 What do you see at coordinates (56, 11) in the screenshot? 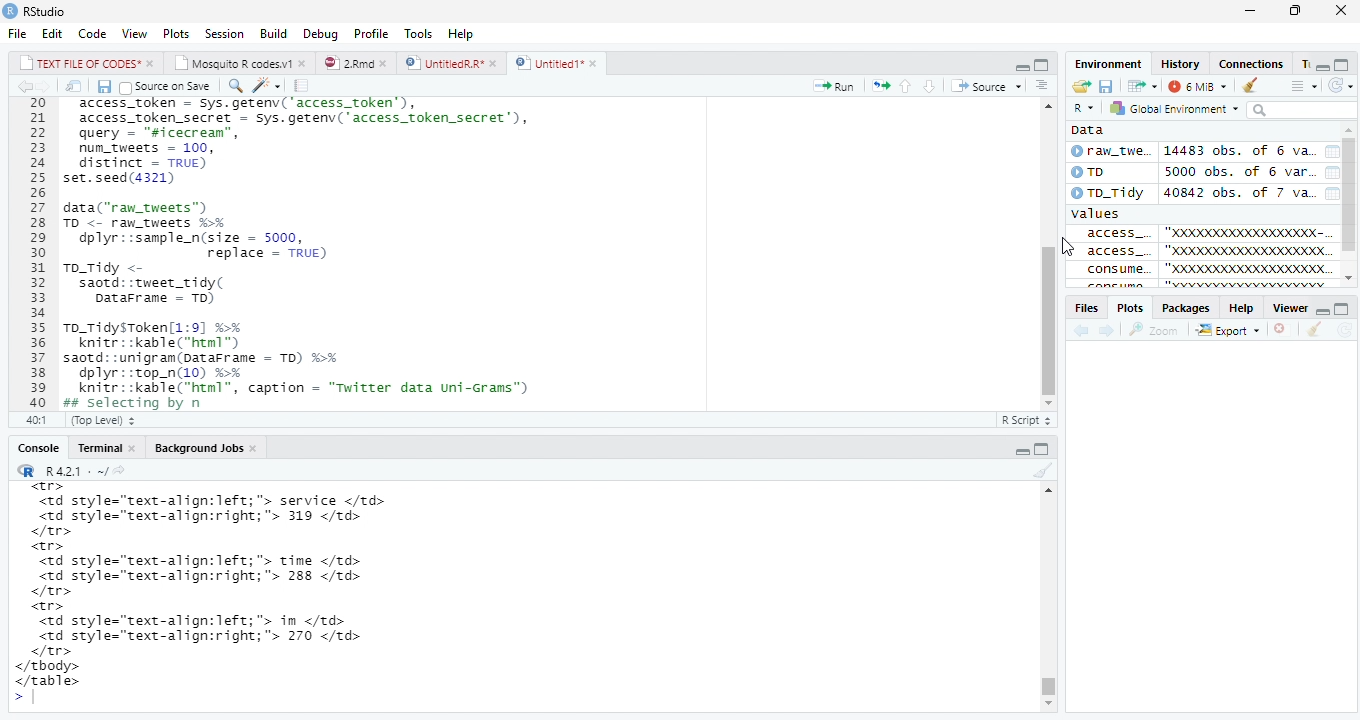
I see ` RStudio` at bounding box center [56, 11].